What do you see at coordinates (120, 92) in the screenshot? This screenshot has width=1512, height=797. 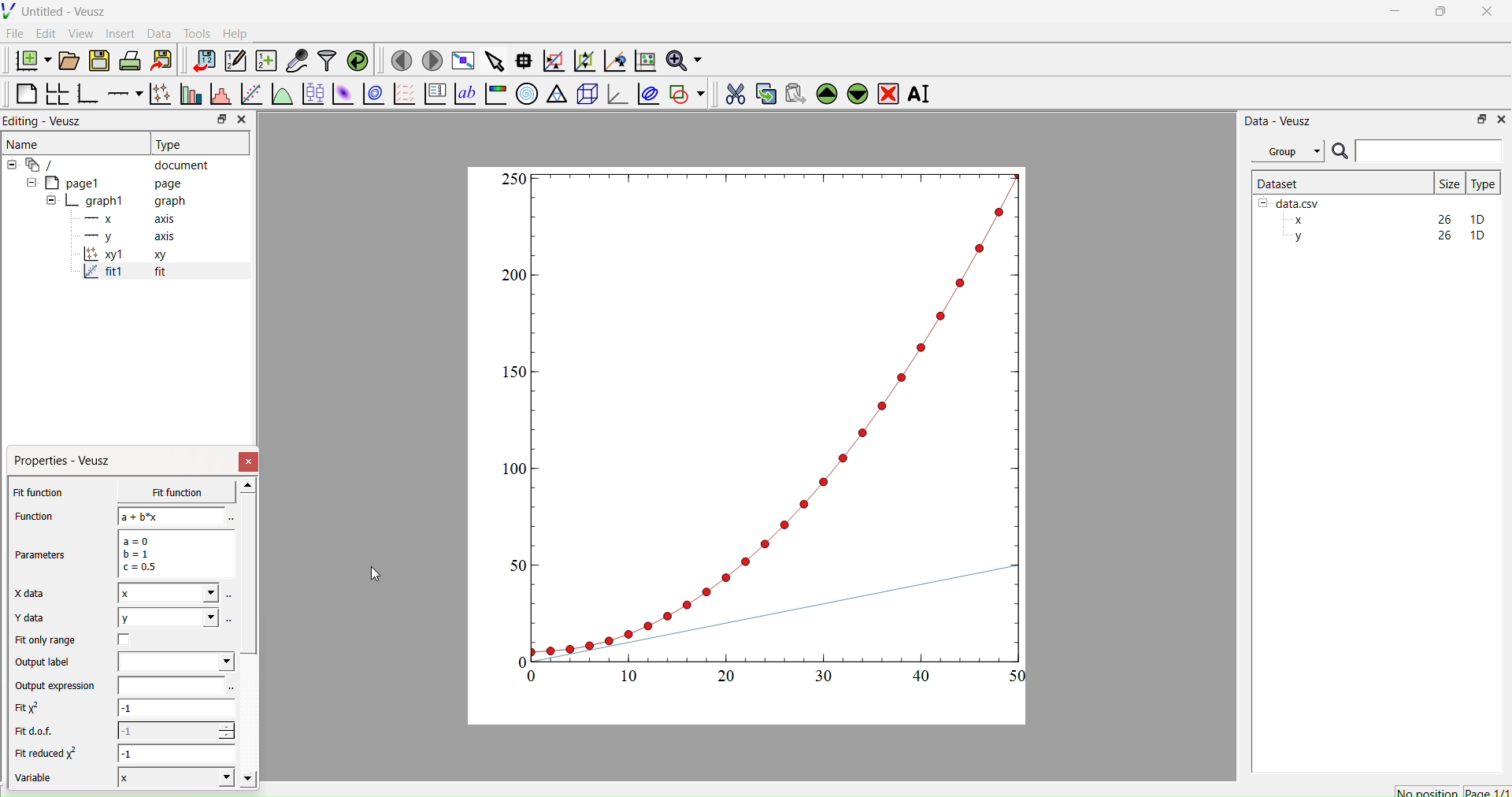 I see `Add an axis to plot` at bounding box center [120, 92].